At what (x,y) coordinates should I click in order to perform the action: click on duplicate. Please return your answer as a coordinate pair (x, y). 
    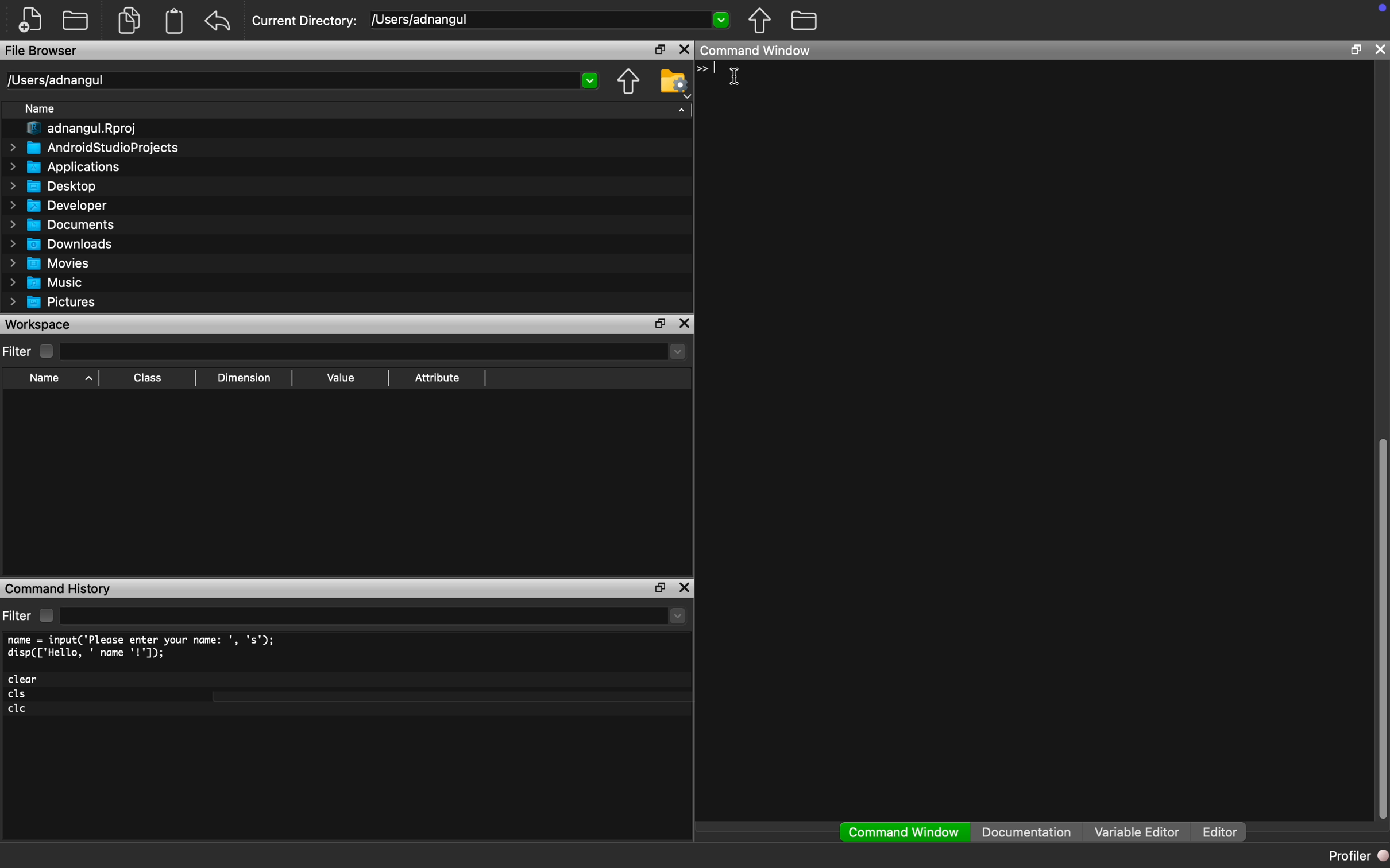
    Looking at the image, I should click on (130, 20).